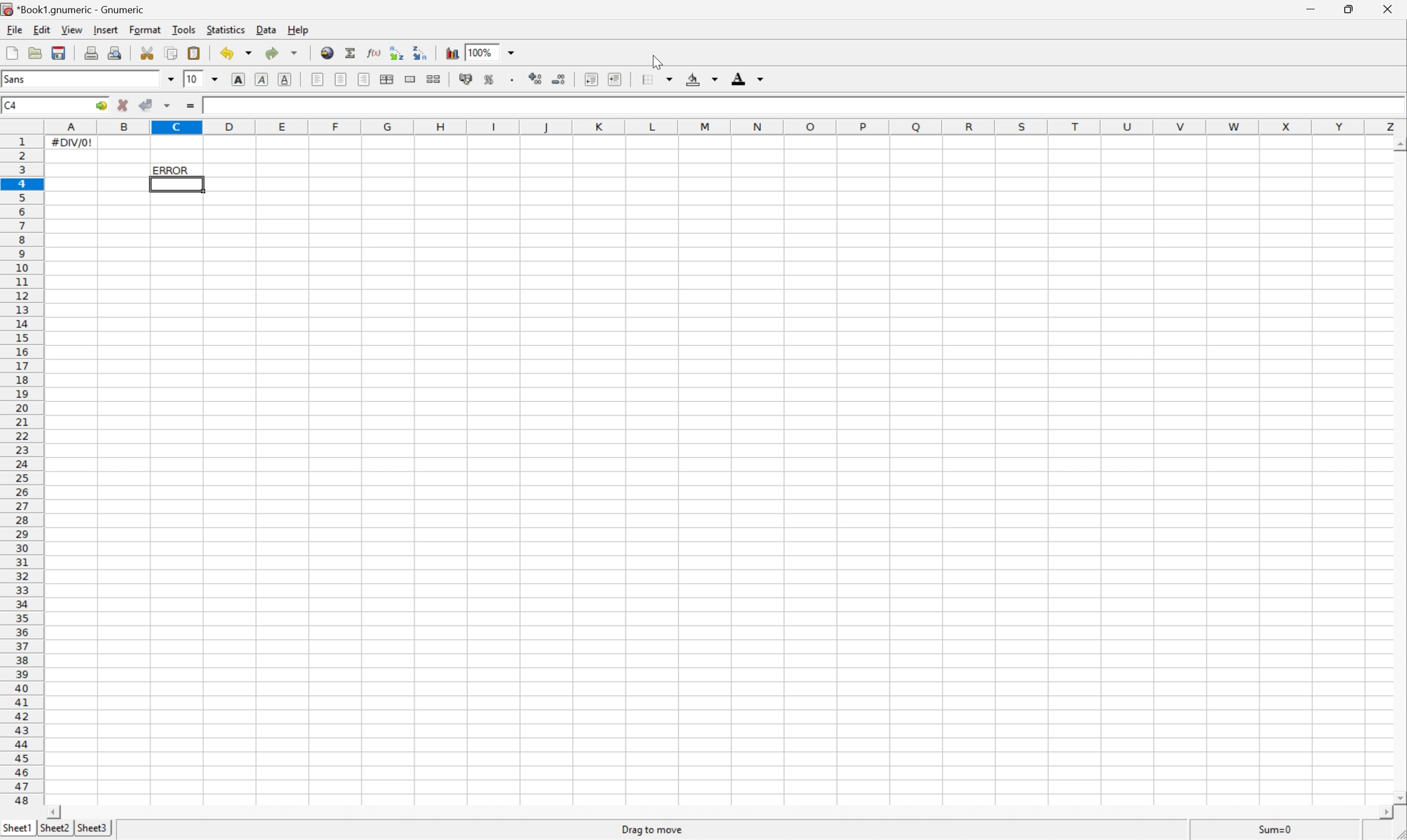  Describe the element at coordinates (93, 53) in the screenshot. I see `Print the current file` at that location.